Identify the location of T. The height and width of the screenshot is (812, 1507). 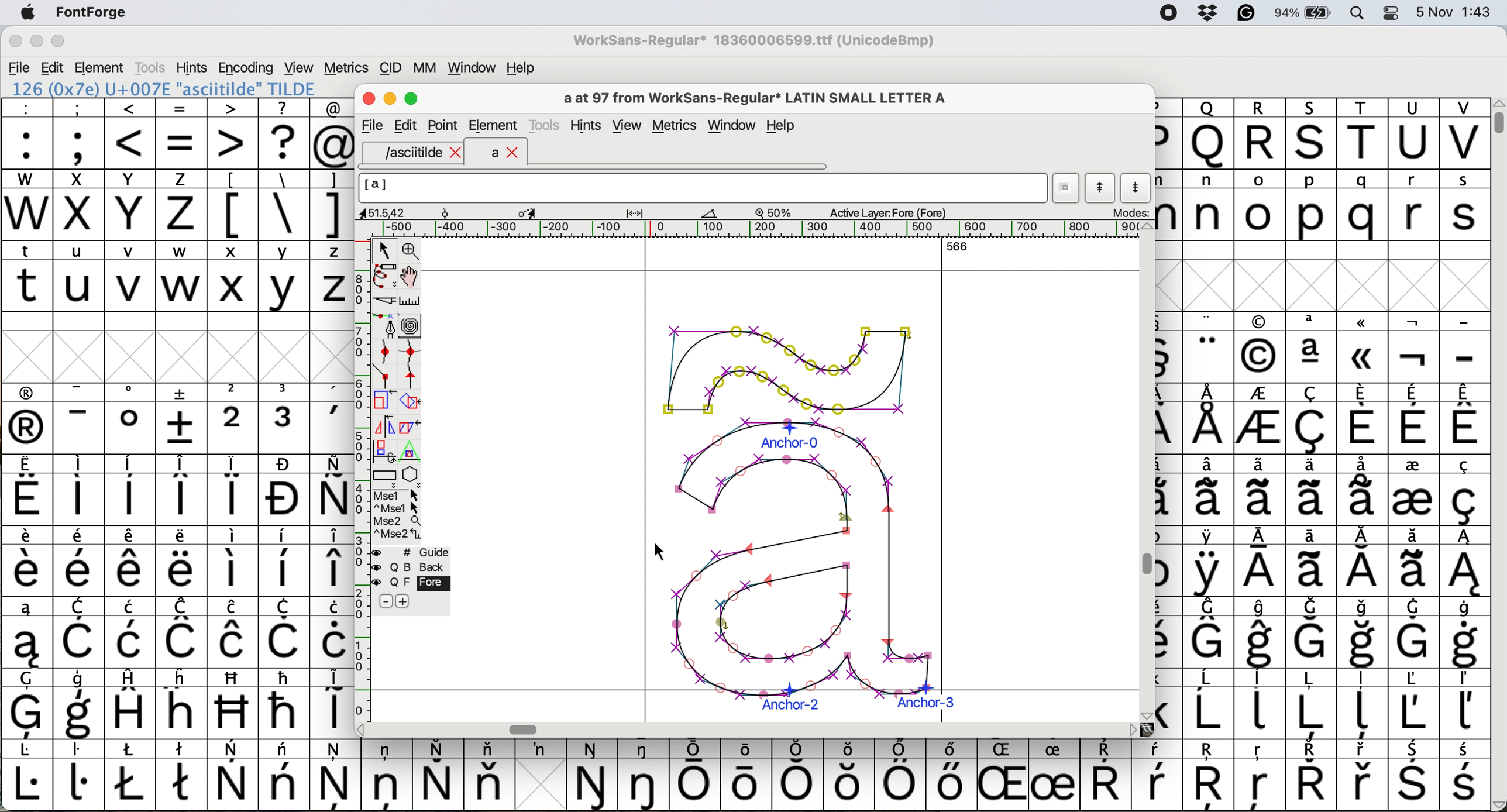
(1365, 135).